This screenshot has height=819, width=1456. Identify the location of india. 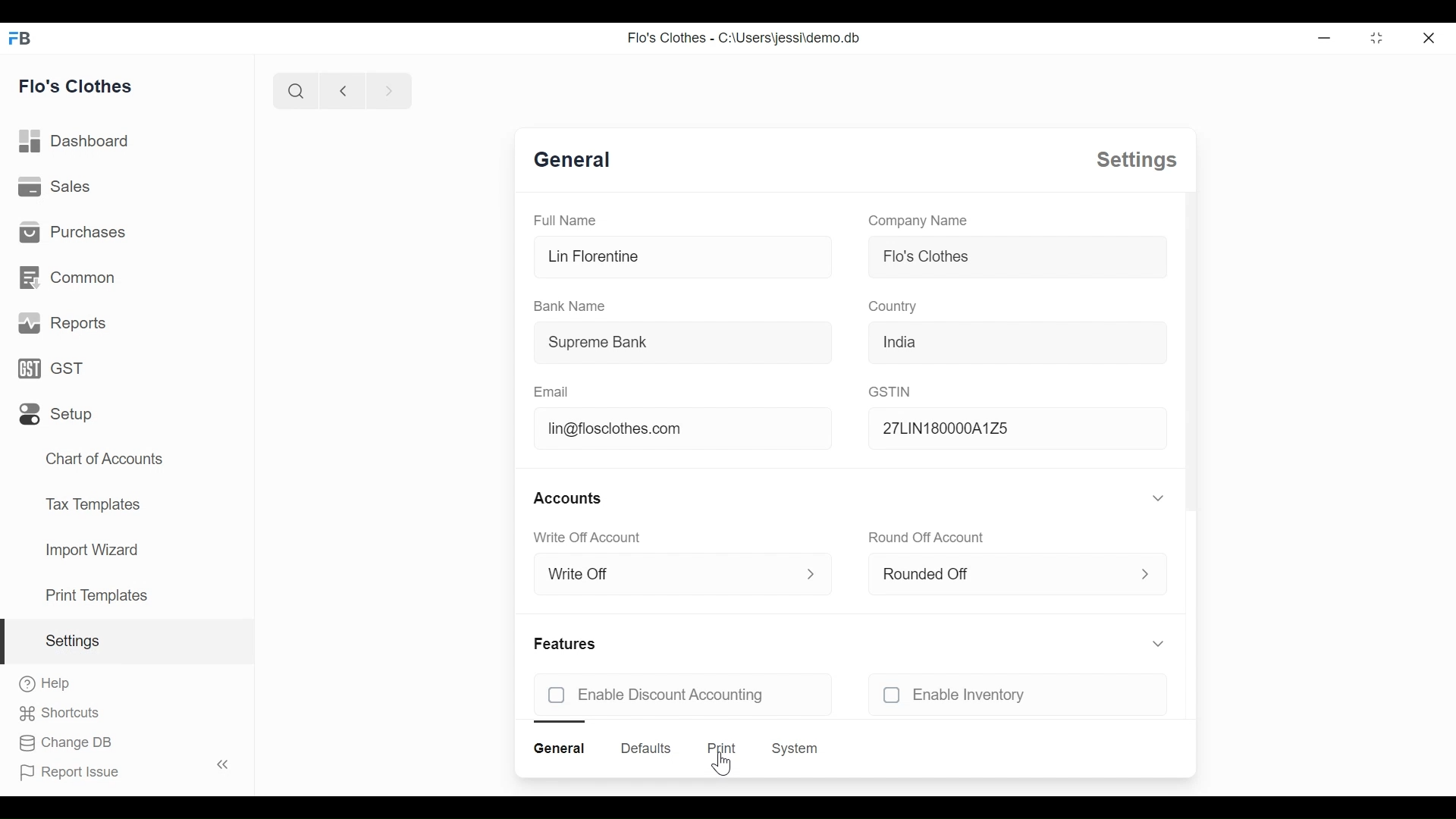
(1018, 342).